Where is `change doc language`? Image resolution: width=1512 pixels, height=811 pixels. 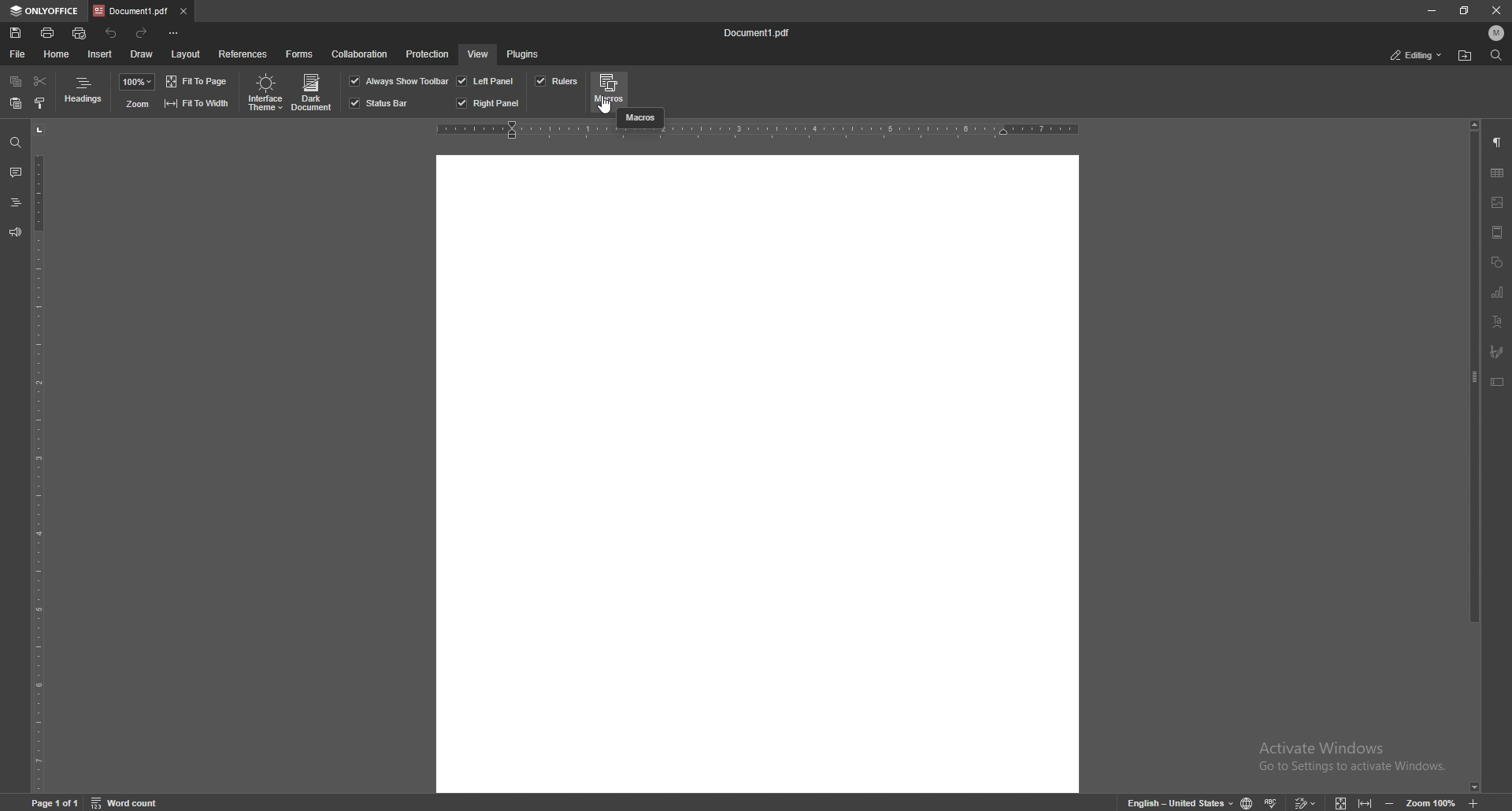
change doc language is located at coordinates (1247, 802).